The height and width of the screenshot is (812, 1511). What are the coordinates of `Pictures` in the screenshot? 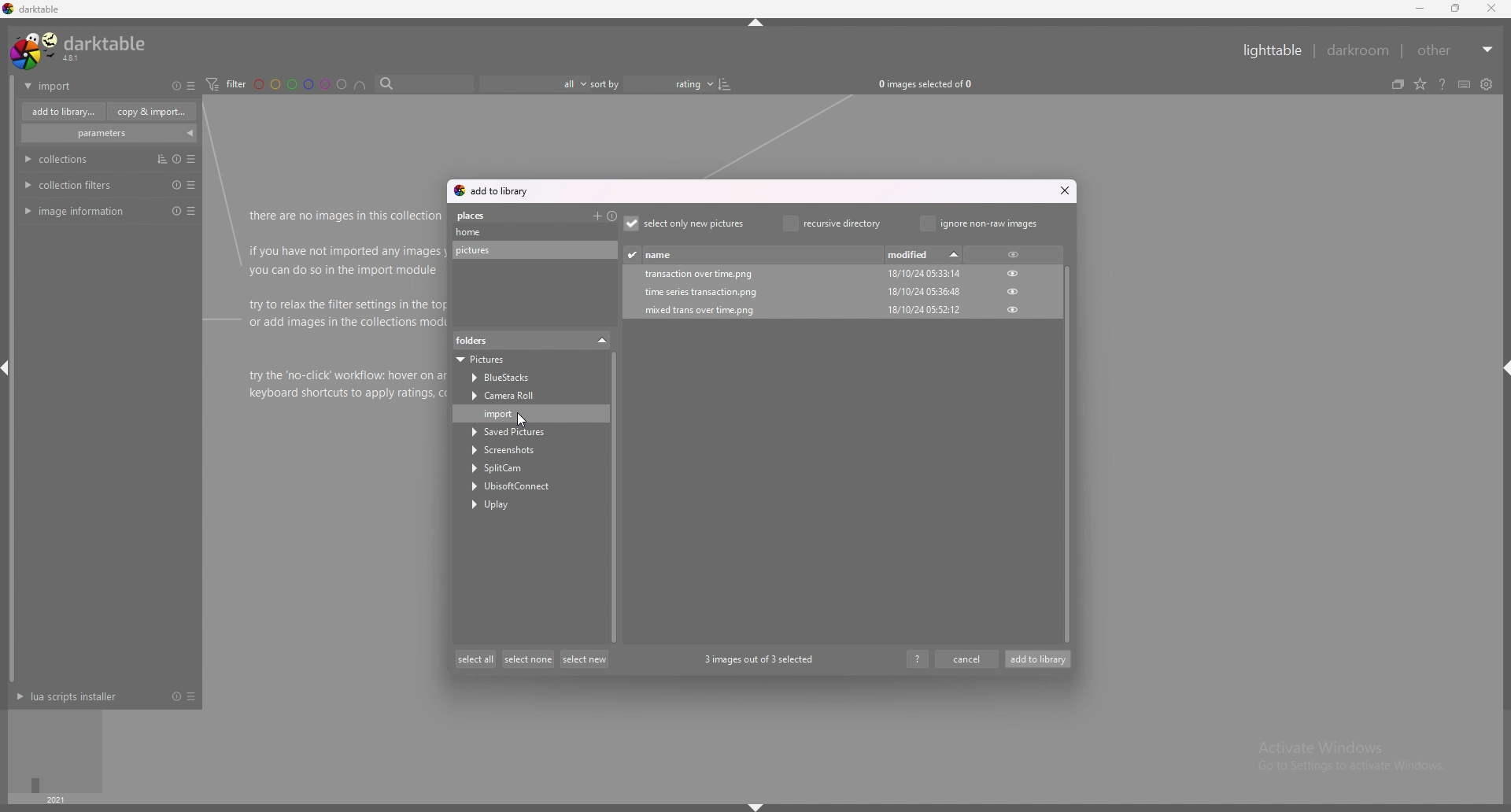 It's located at (526, 360).